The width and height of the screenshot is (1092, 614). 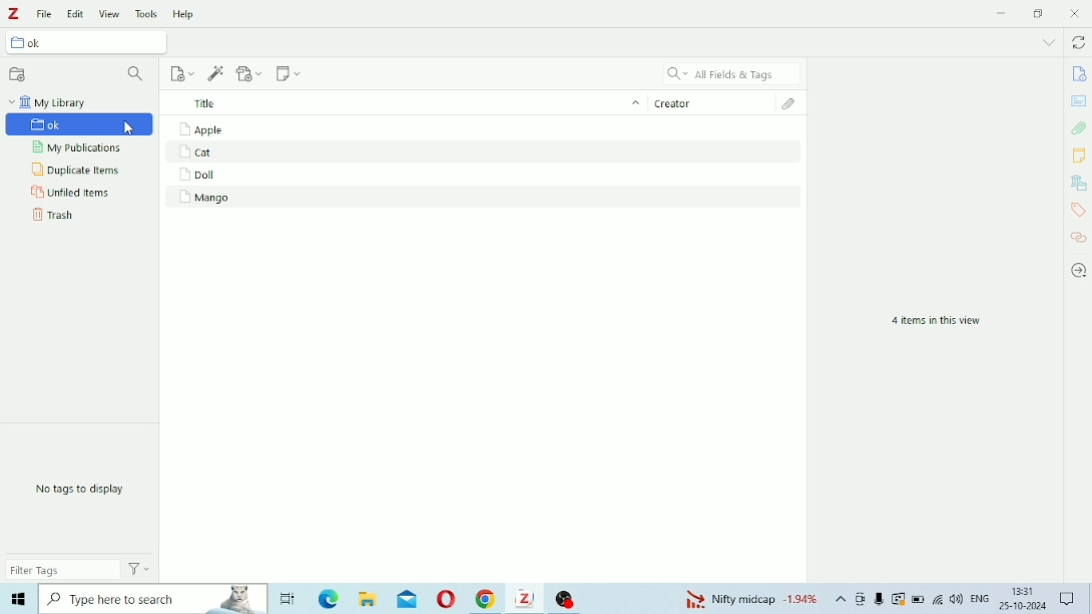 I want to click on Mango, so click(x=204, y=198).